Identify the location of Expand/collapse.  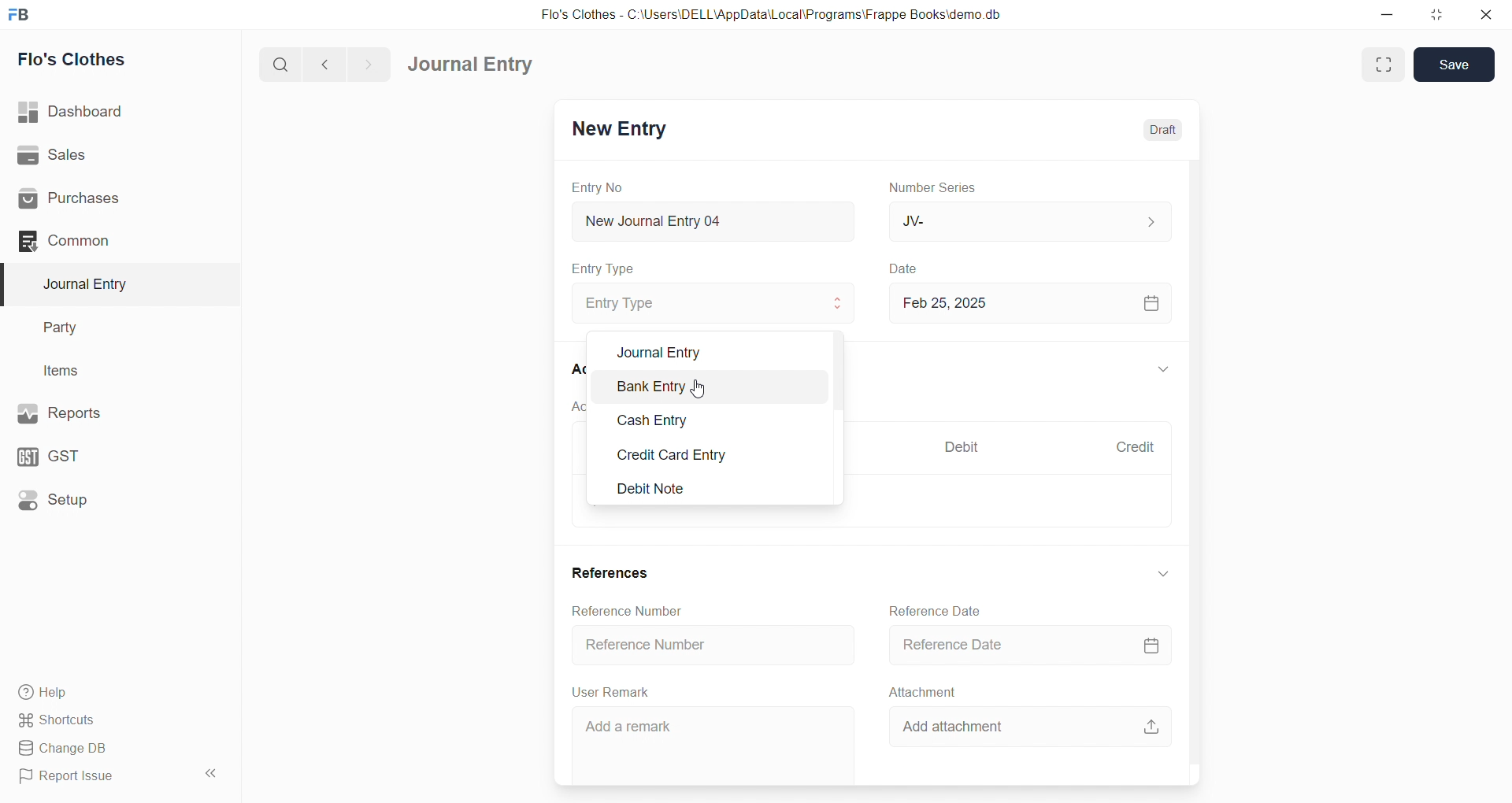
(1162, 573).